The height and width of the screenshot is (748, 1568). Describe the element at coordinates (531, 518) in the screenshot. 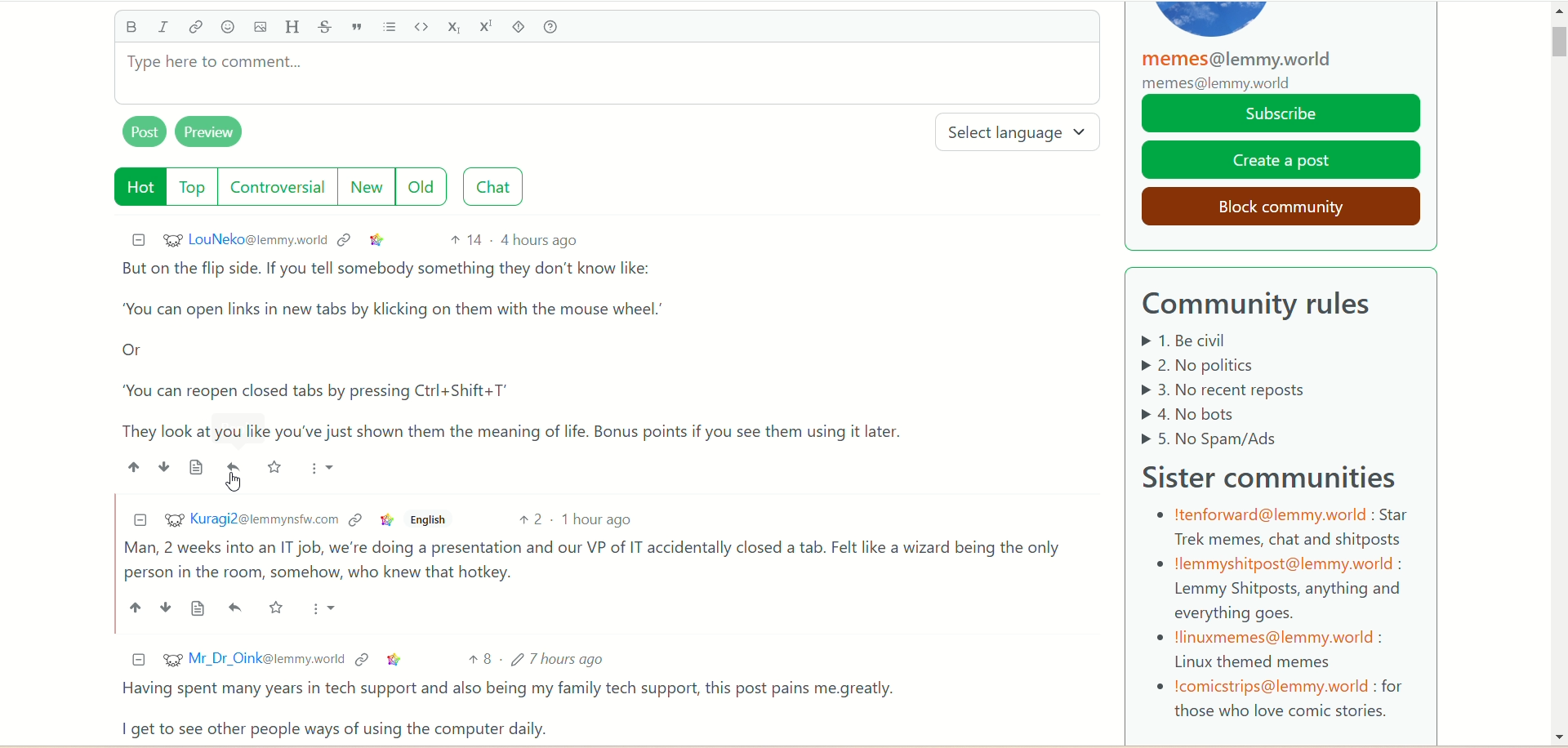

I see `2 votes up` at that location.